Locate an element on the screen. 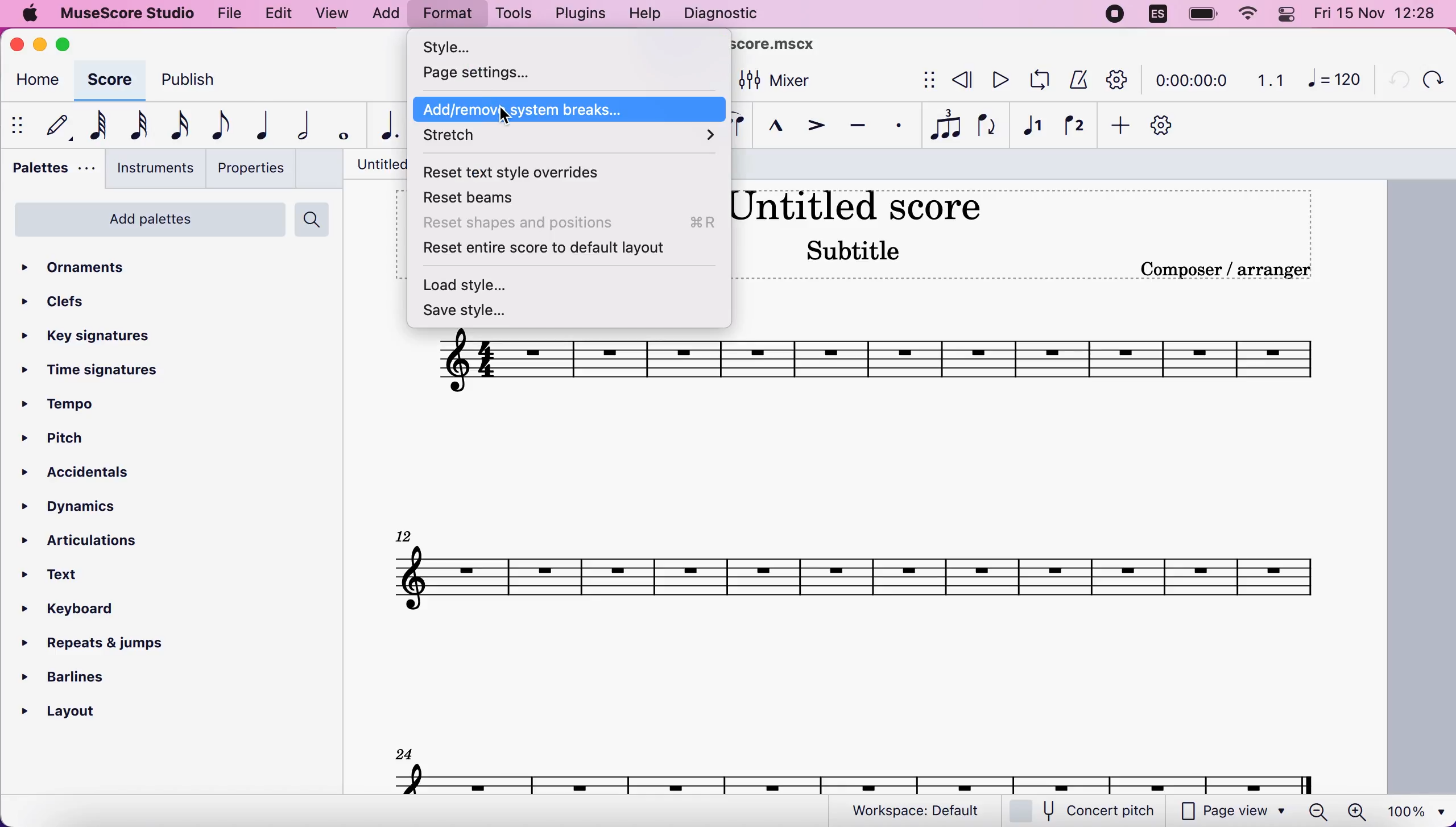 This screenshot has width=1456, height=827. properties is located at coordinates (250, 168).